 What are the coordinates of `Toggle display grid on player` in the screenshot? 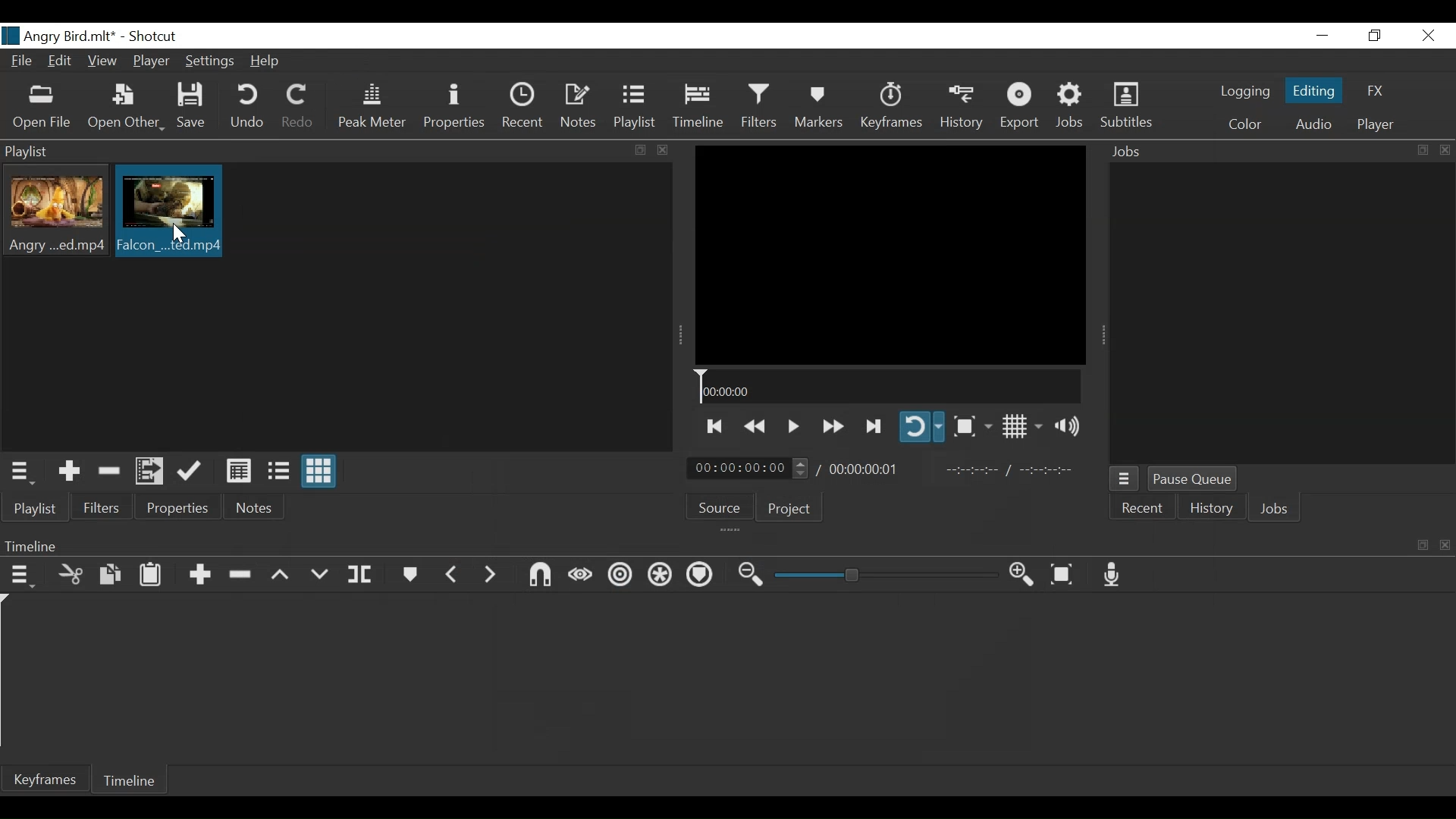 It's located at (1025, 426).